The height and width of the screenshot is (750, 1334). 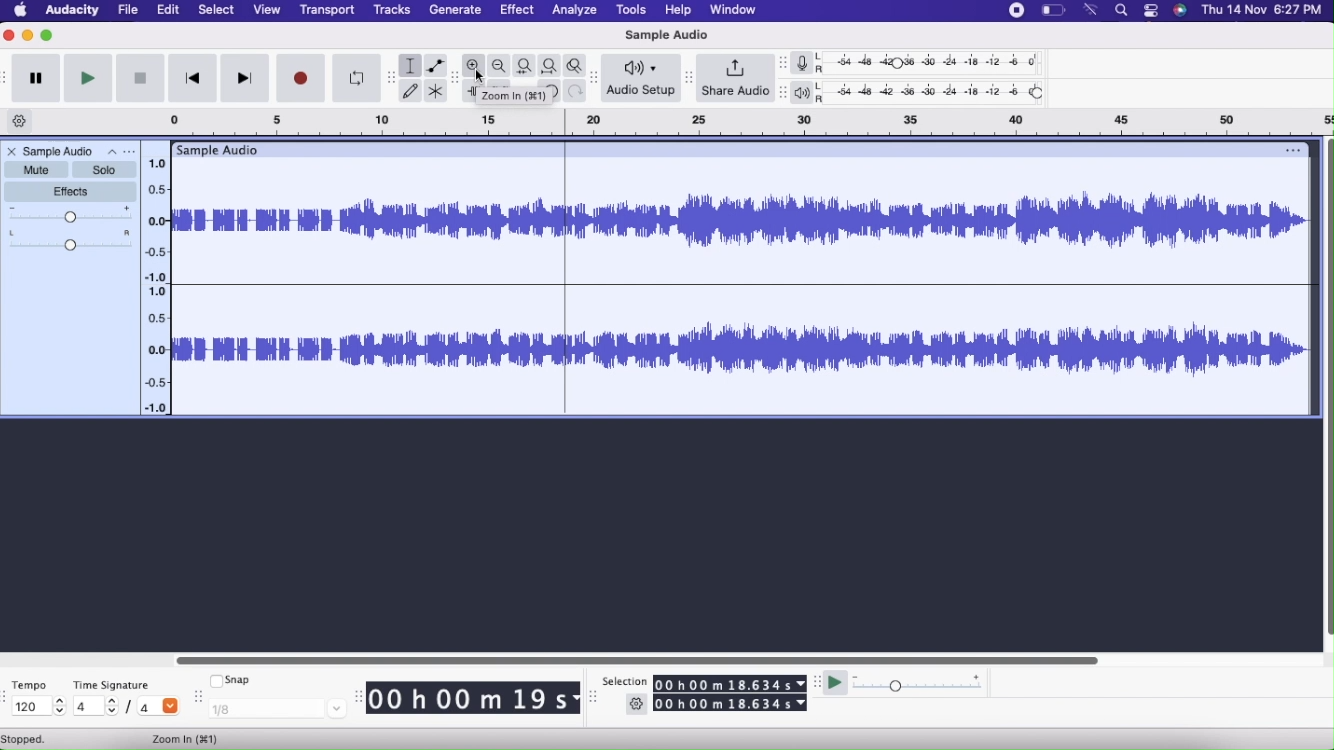 I want to click on Enable Looping, so click(x=352, y=78).